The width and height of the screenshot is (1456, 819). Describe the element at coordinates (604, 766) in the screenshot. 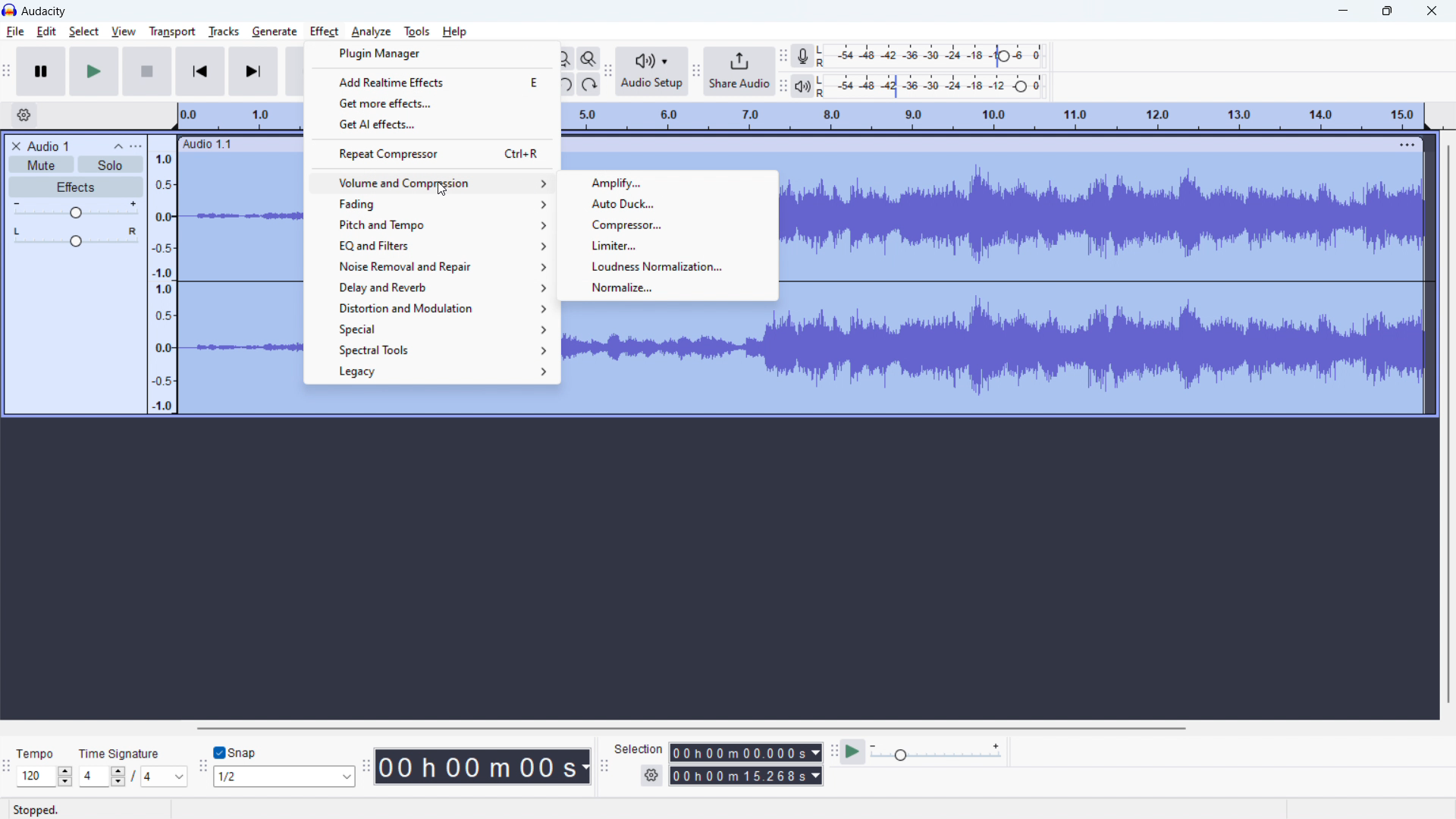

I see `selection toolbar` at that location.